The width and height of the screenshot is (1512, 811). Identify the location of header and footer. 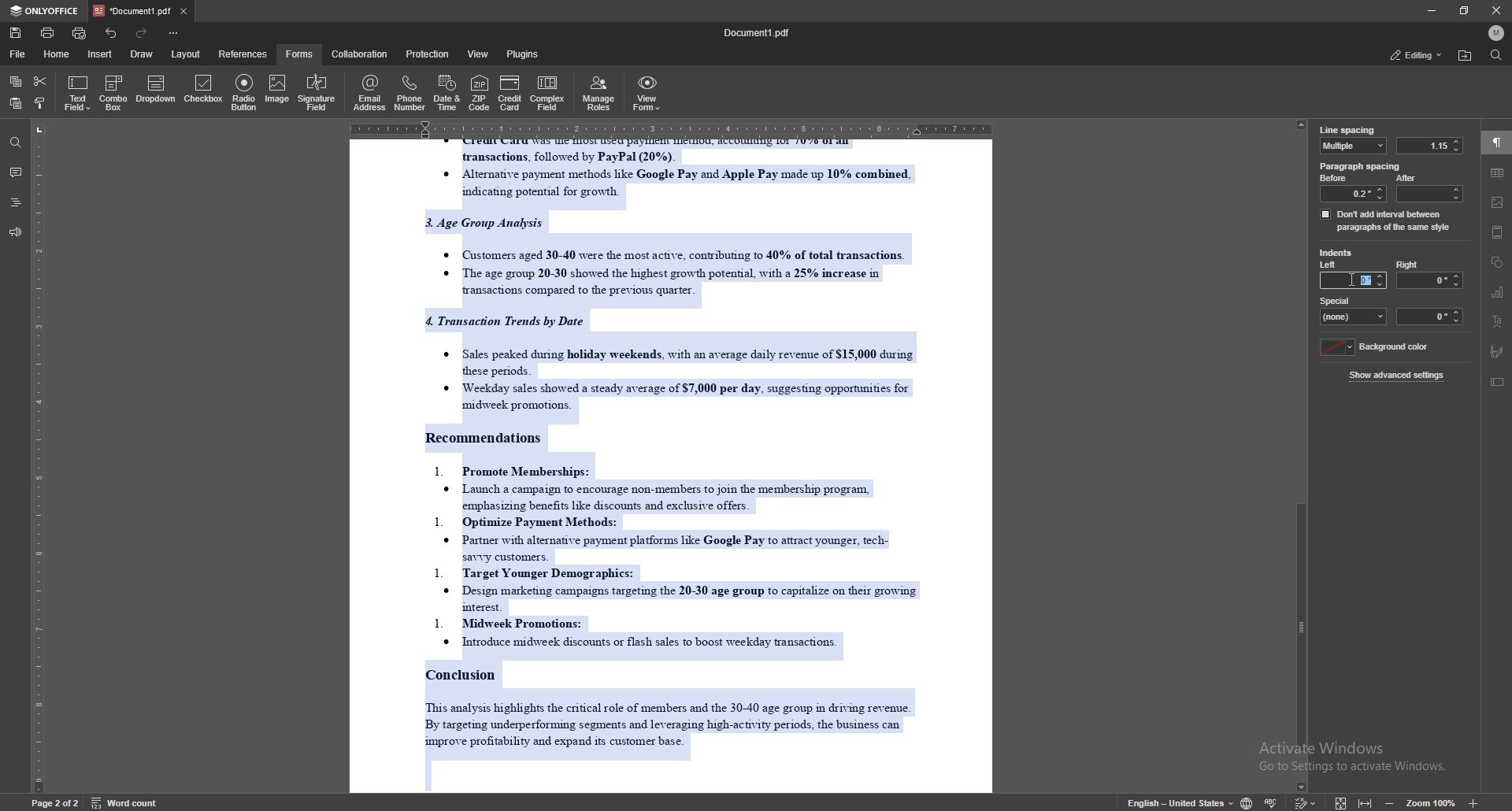
(1498, 232).